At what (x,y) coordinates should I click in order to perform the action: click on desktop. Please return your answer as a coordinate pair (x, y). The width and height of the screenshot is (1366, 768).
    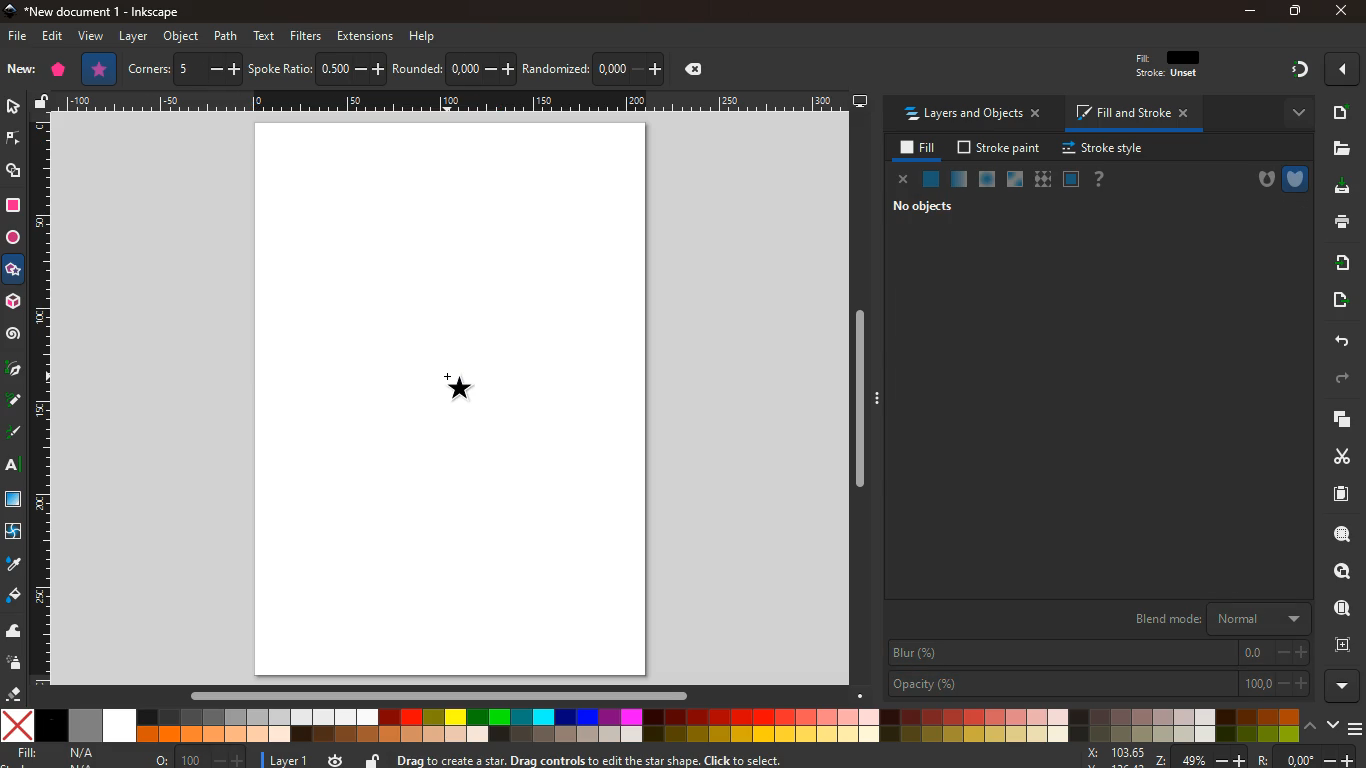
    Looking at the image, I should click on (859, 99).